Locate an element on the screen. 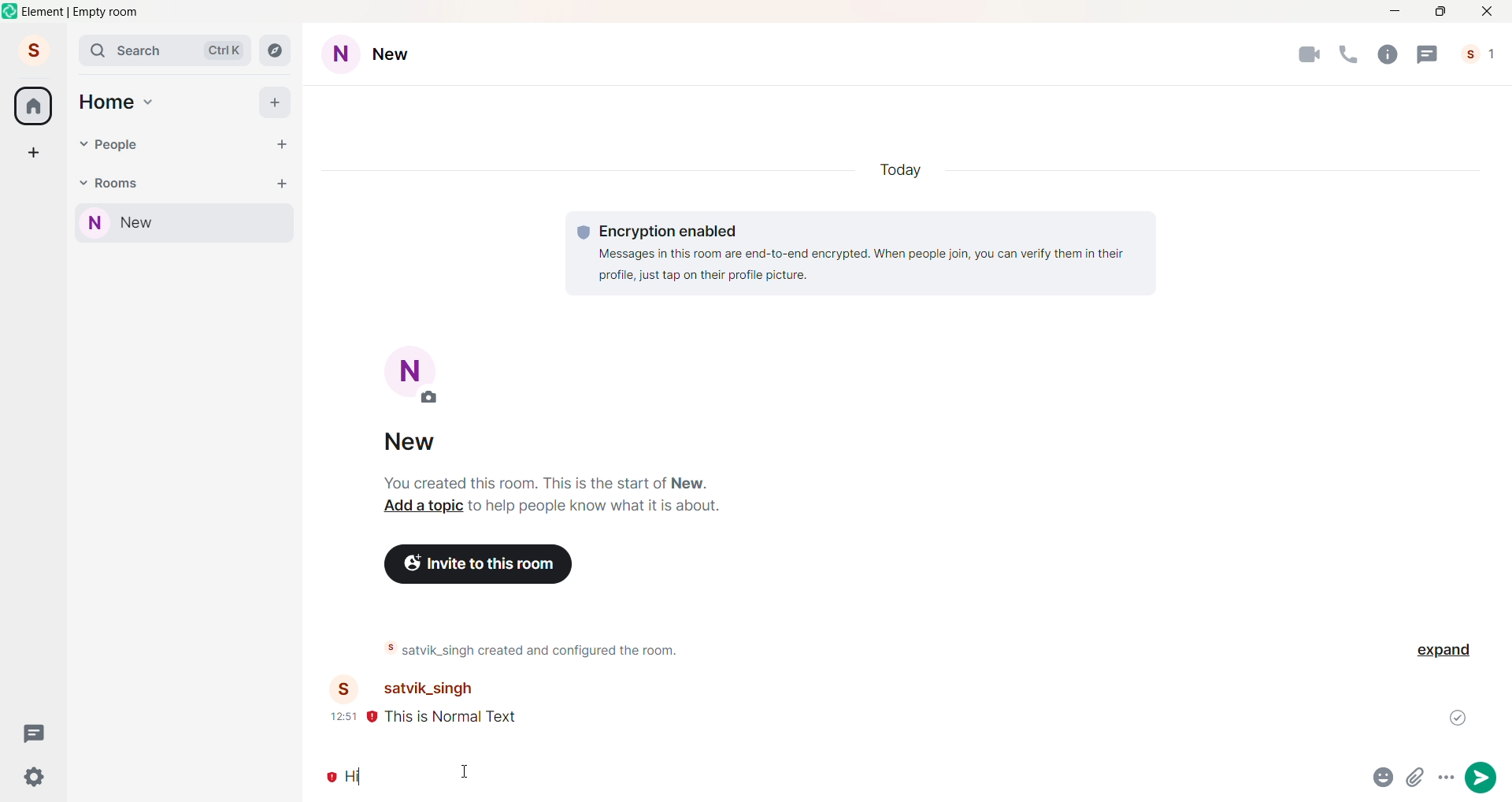 Image resolution: width=1512 pixels, height=802 pixels. Logo is located at coordinates (11, 11).